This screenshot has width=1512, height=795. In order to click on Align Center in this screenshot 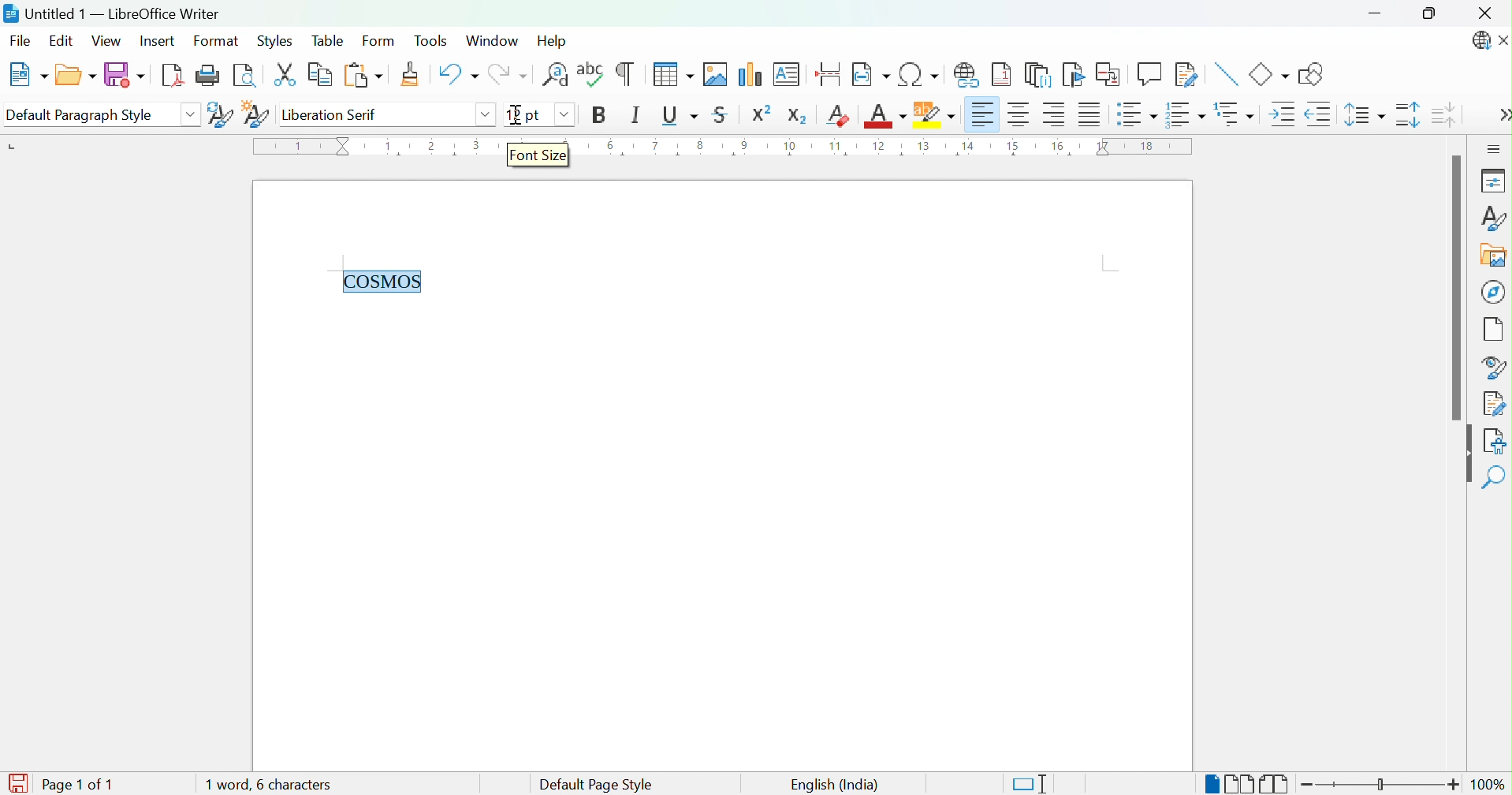, I will do `click(1020, 114)`.